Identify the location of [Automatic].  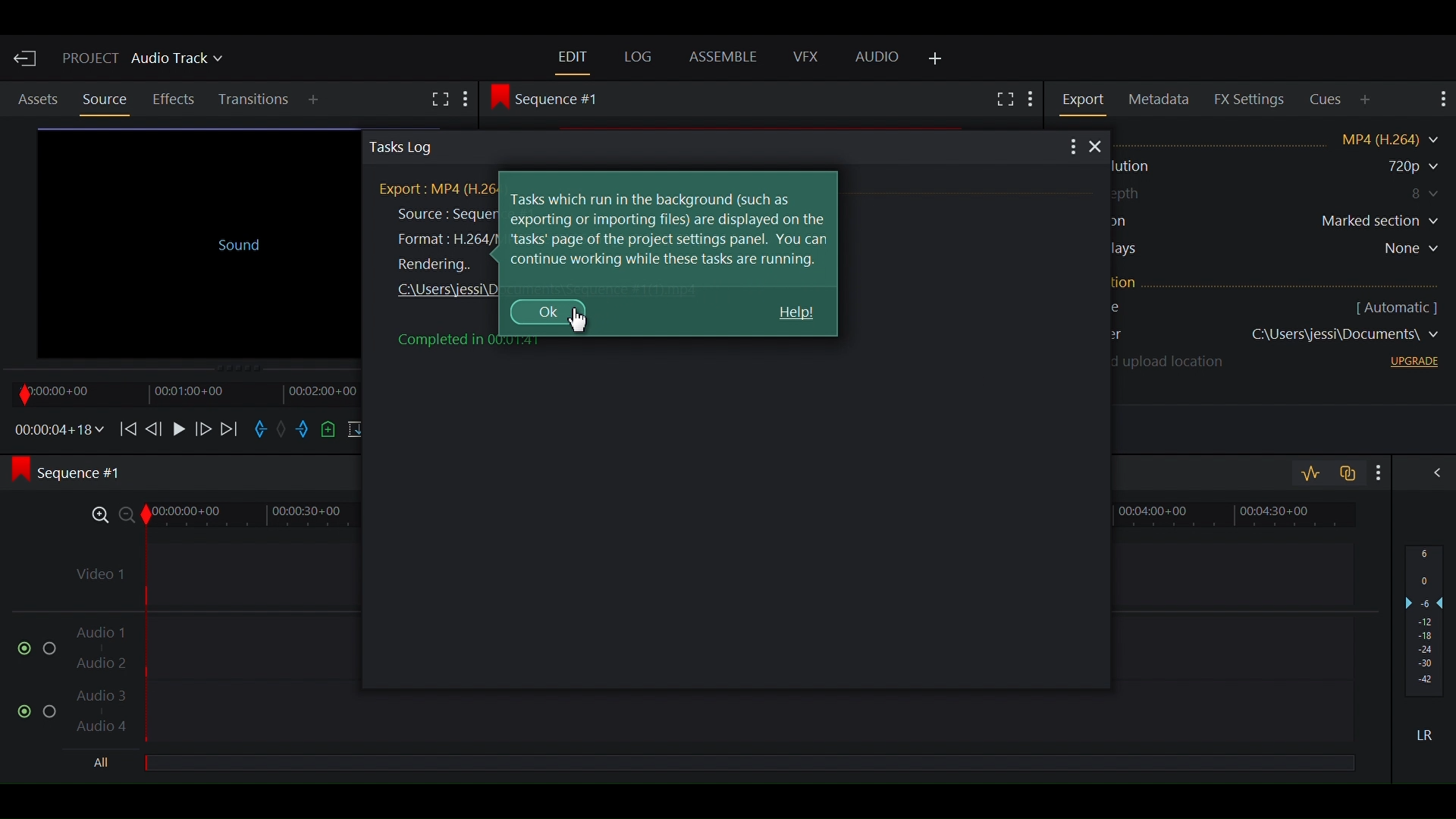
(1395, 306).